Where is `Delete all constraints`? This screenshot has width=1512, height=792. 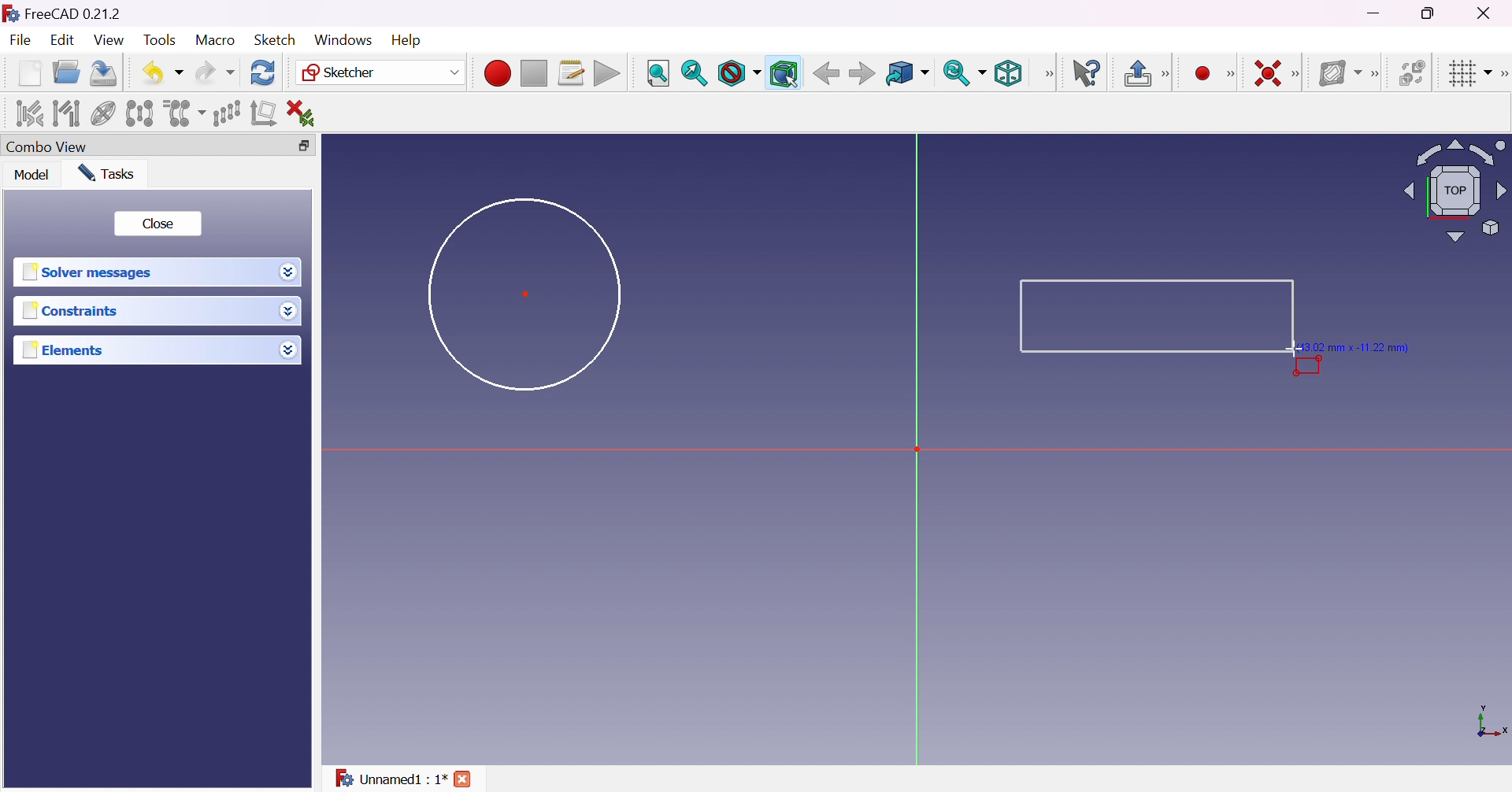 Delete all constraints is located at coordinates (306, 113).